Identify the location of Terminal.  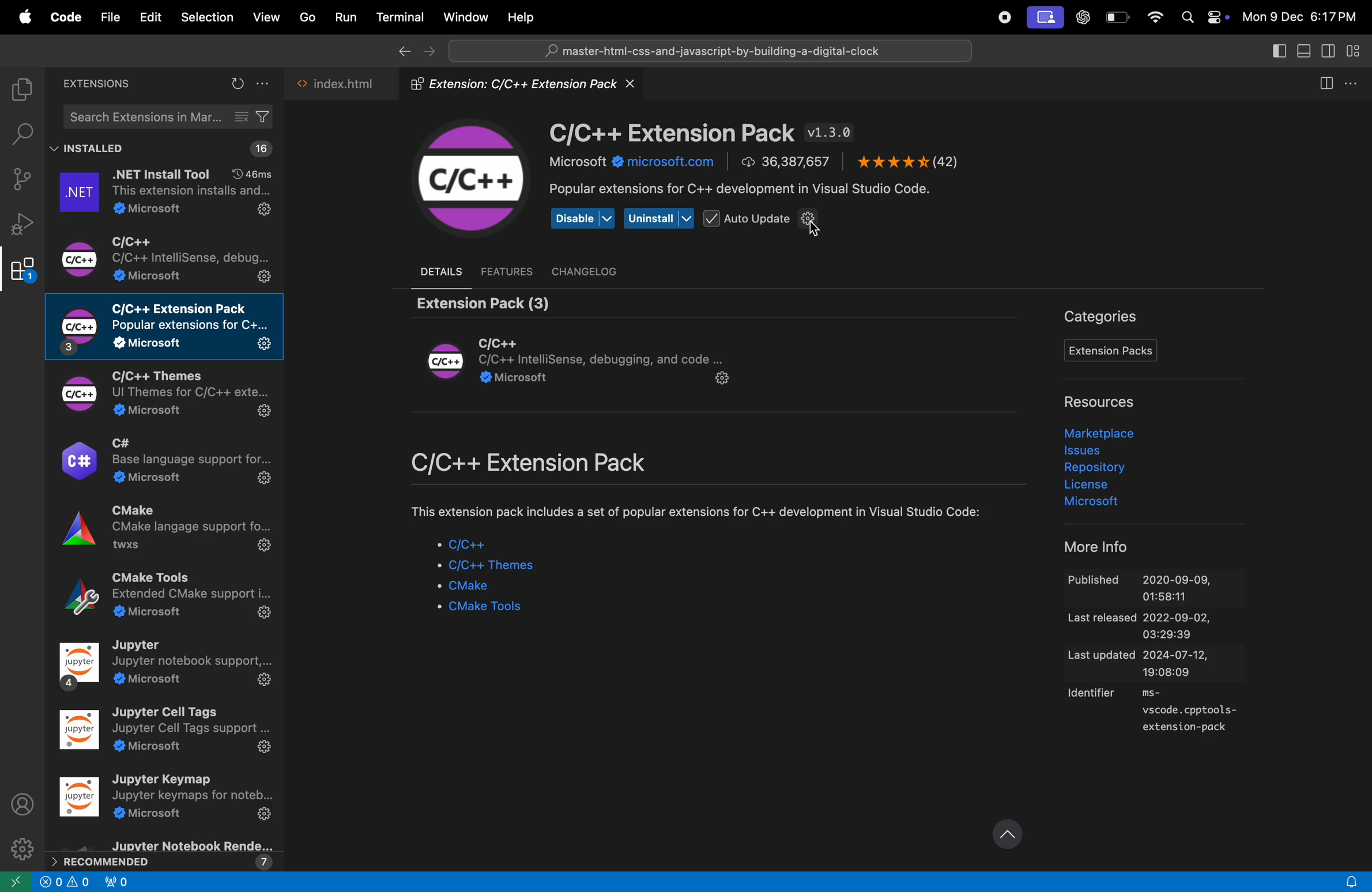
(398, 18).